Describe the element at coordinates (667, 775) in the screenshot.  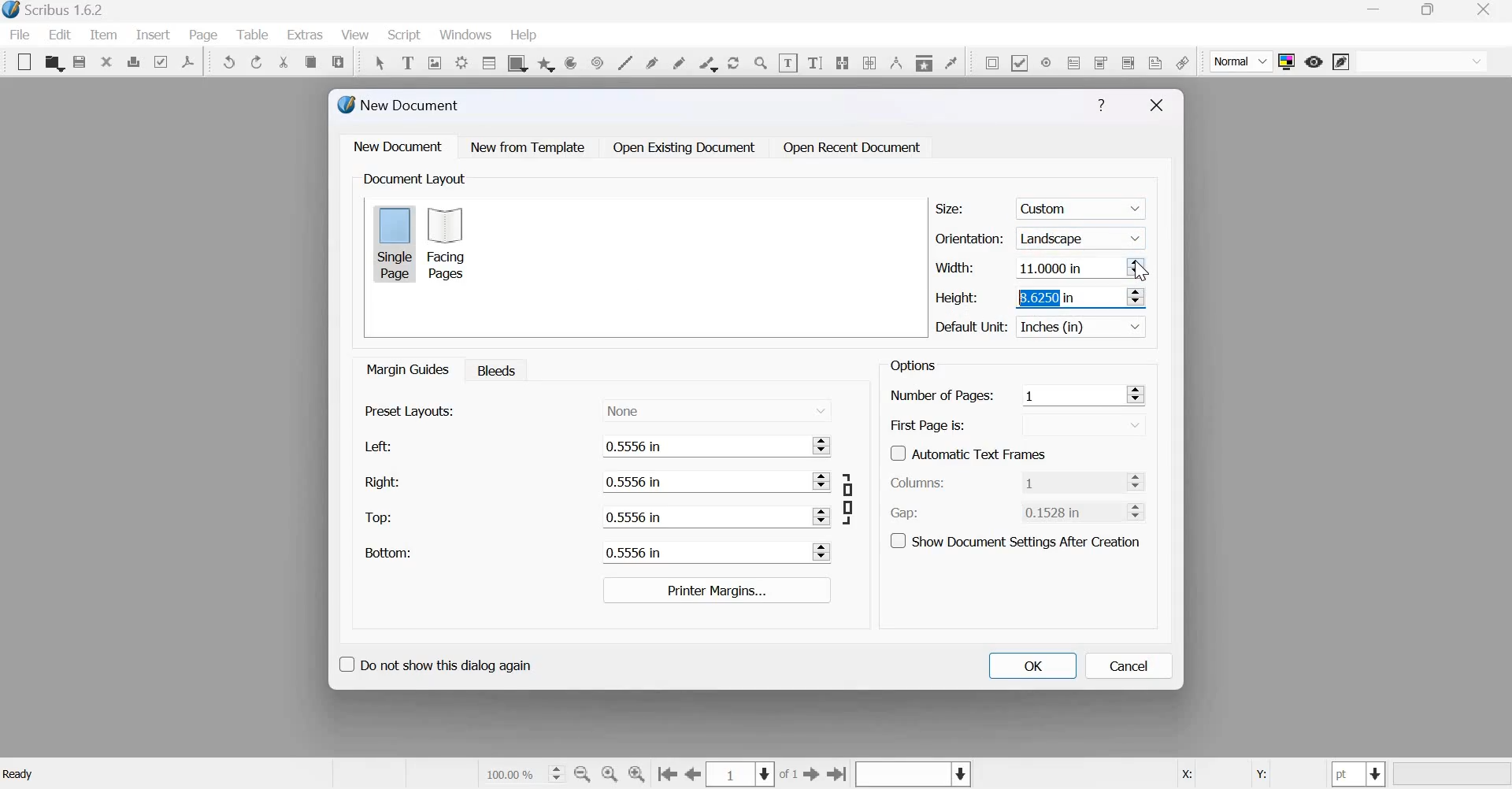
I see `Go to the first page` at that location.